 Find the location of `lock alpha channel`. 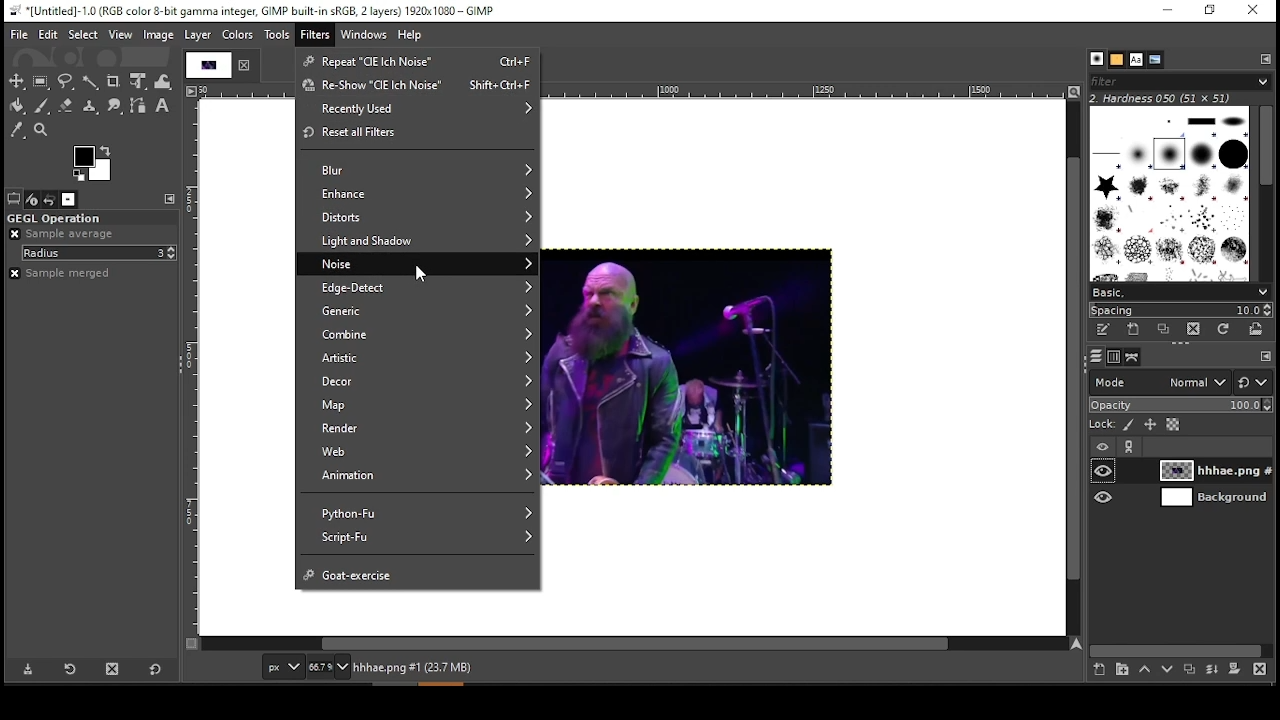

lock alpha channel is located at coordinates (1176, 426).